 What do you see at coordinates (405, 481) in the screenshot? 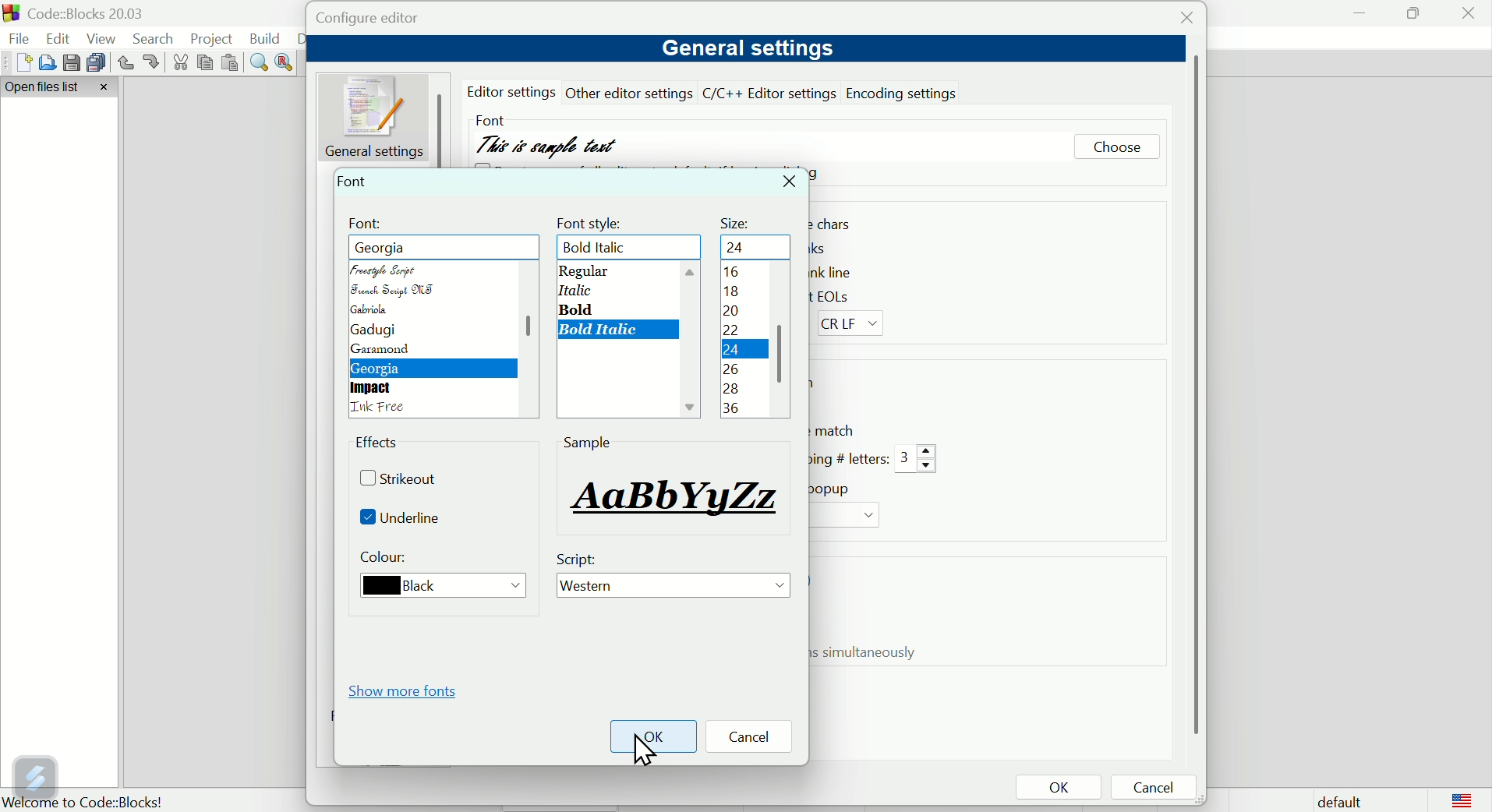
I see `Strike out` at bounding box center [405, 481].